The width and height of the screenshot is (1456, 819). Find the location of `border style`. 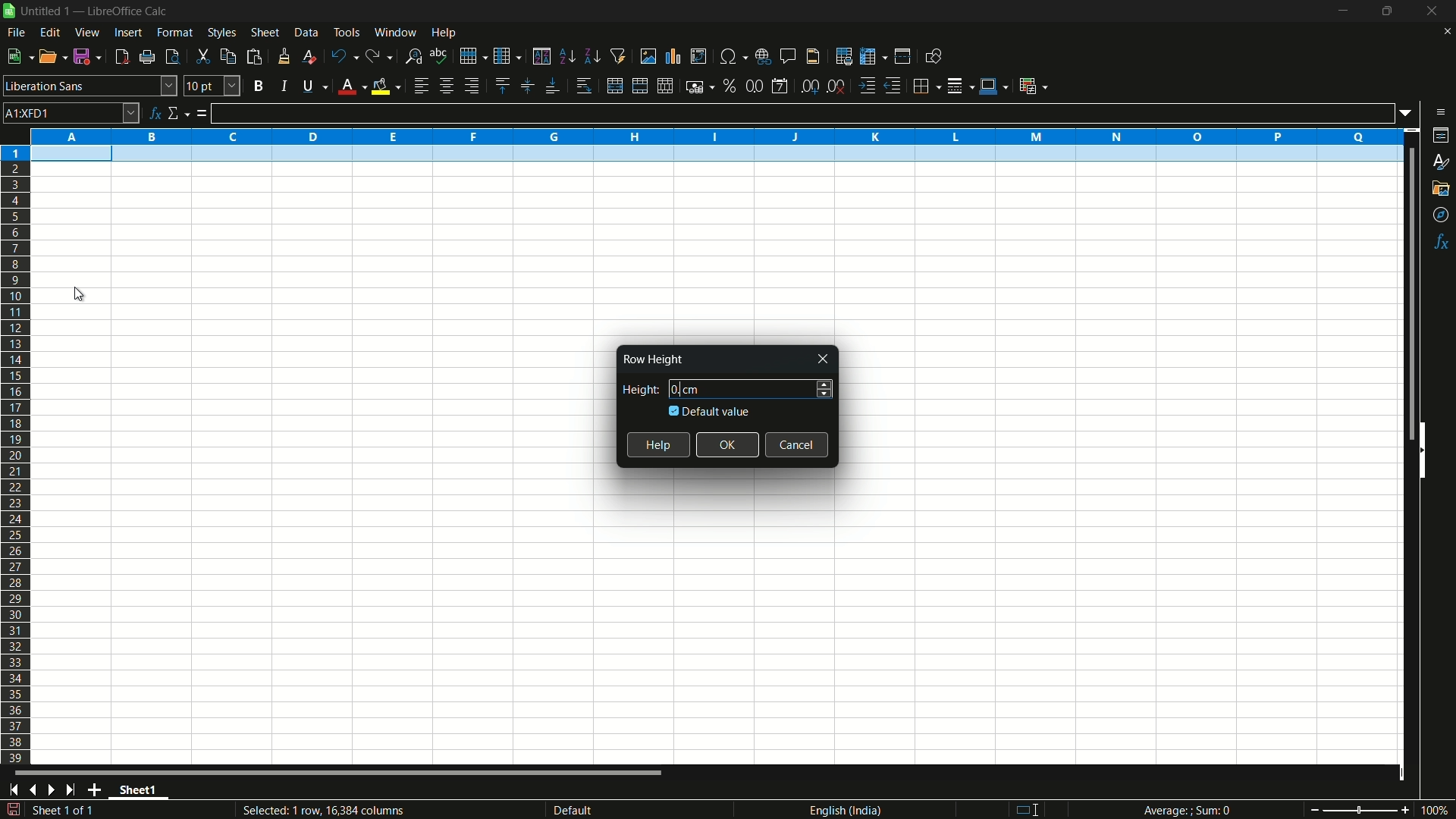

border style is located at coordinates (962, 84).